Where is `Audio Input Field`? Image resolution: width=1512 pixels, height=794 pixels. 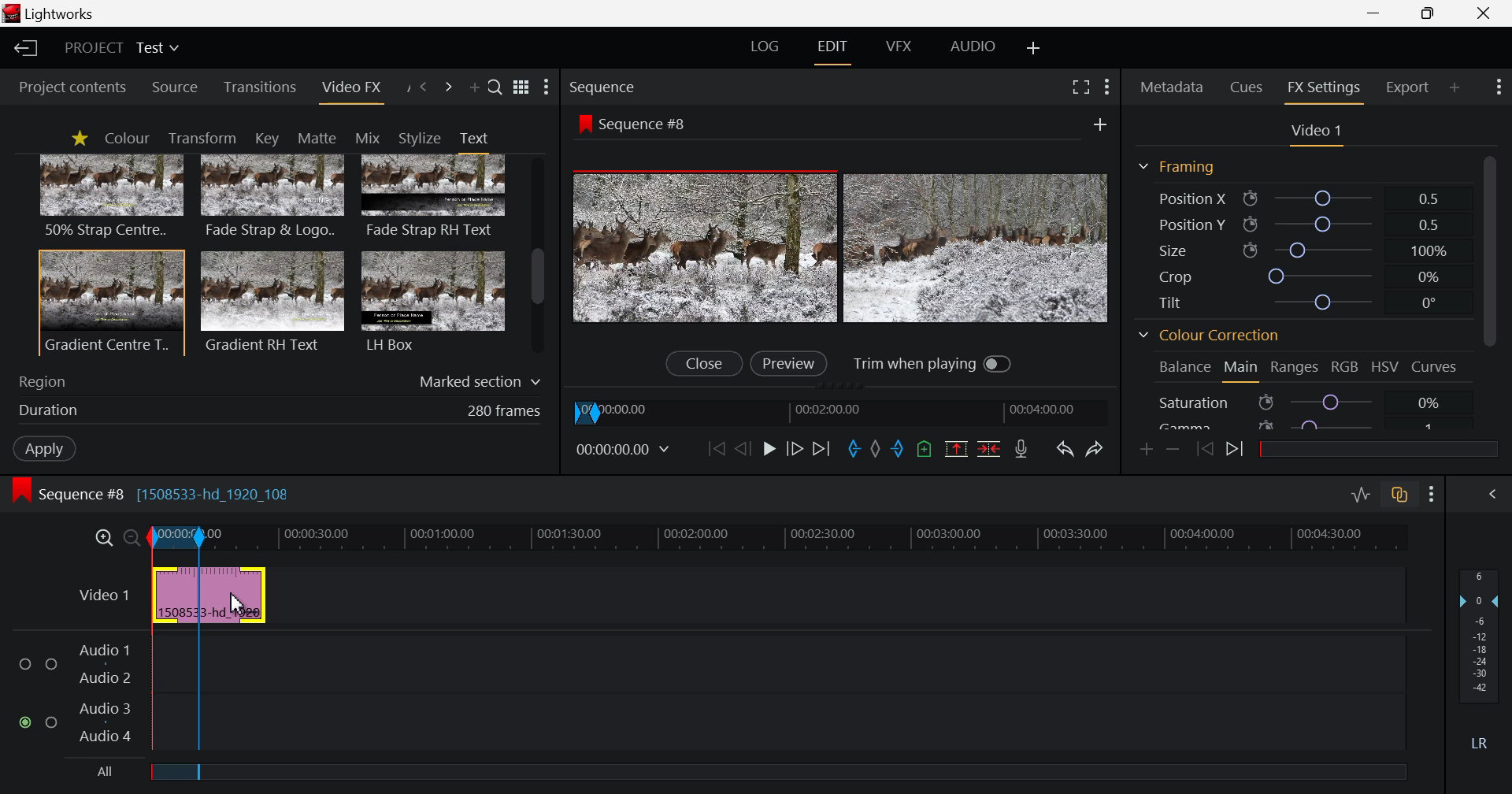 Audio Input Field is located at coordinates (780, 690).